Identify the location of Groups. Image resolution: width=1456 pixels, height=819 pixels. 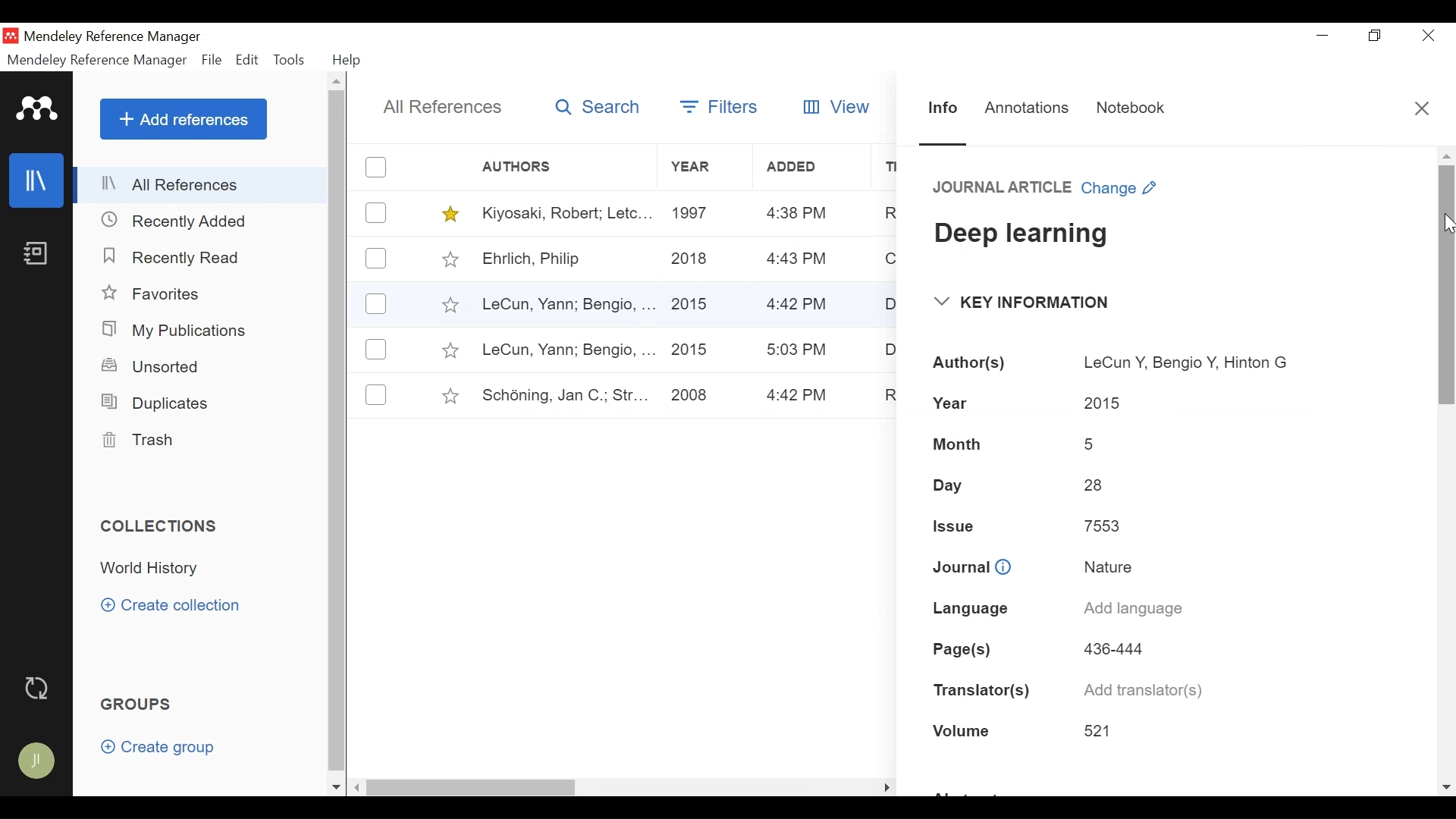
(140, 705).